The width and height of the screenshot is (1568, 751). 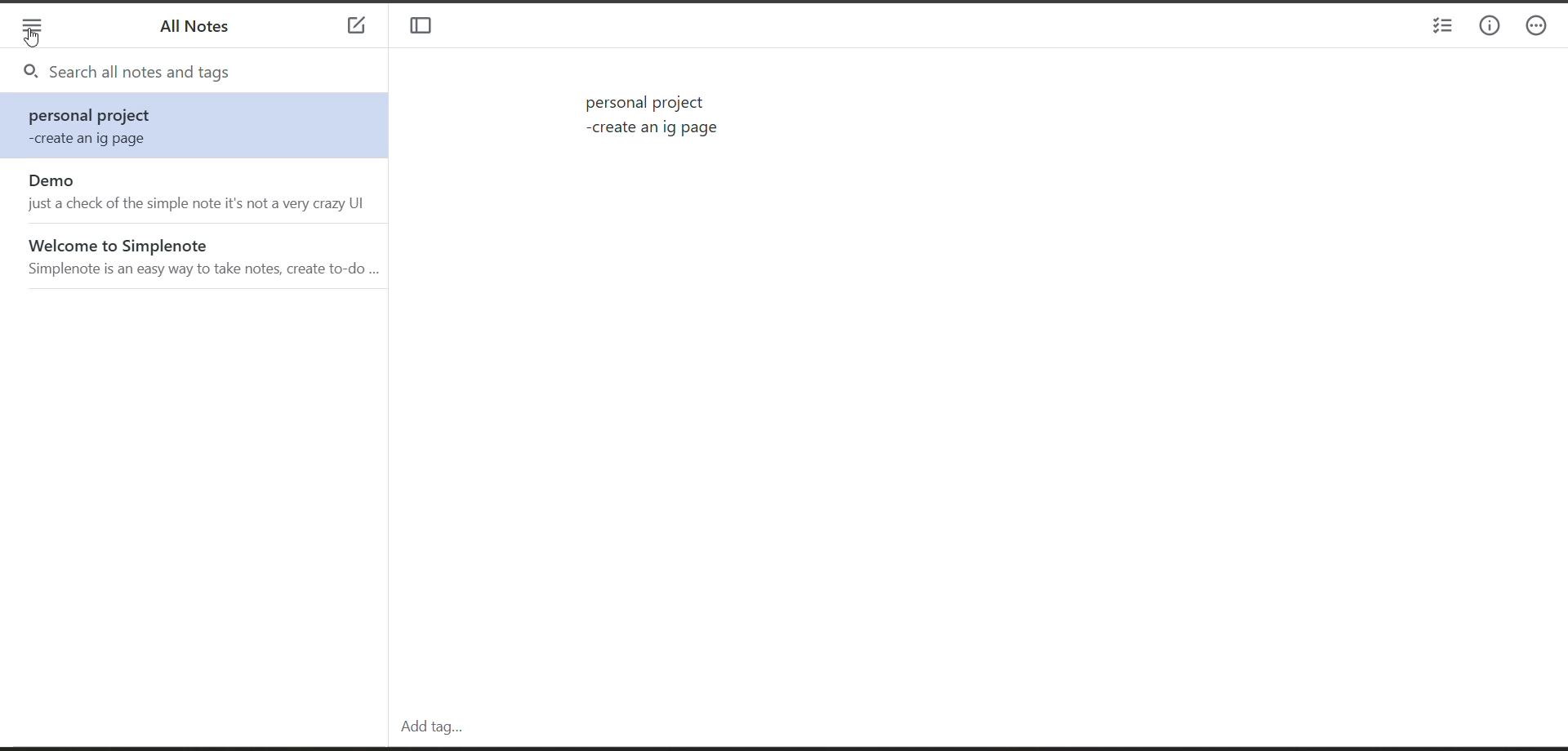 What do you see at coordinates (200, 255) in the screenshot?
I see `note 3` at bounding box center [200, 255].